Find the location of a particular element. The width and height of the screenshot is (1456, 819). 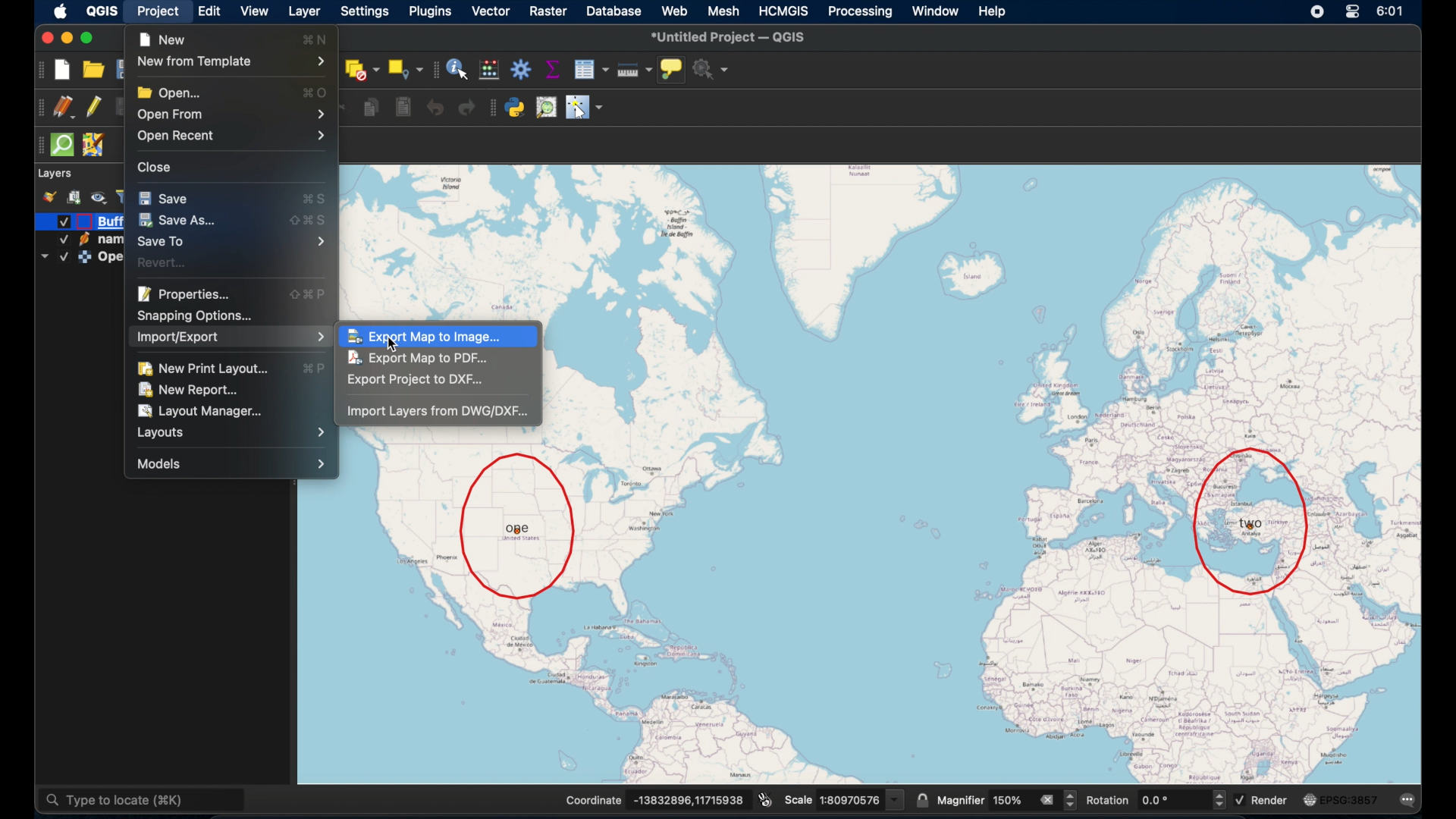

plugins is located at coordinates (430, 11).